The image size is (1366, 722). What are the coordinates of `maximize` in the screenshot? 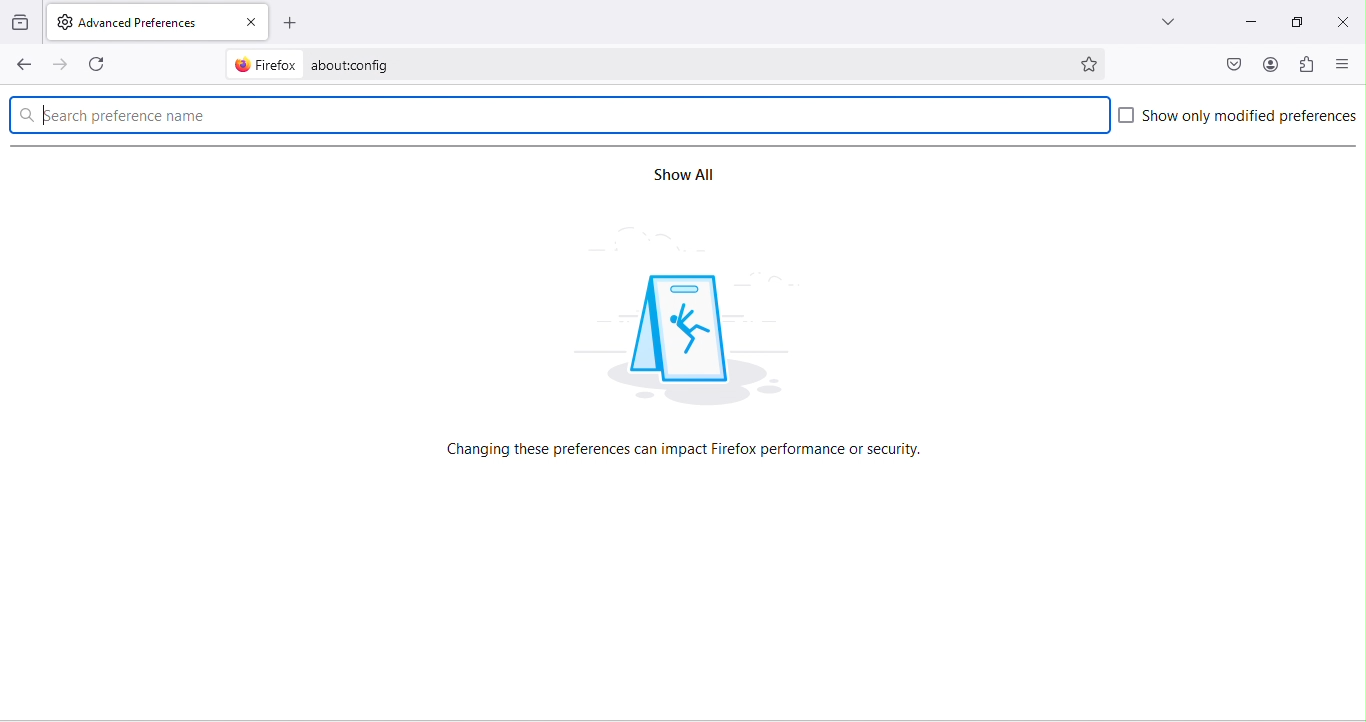 It's located at (1301, 22).